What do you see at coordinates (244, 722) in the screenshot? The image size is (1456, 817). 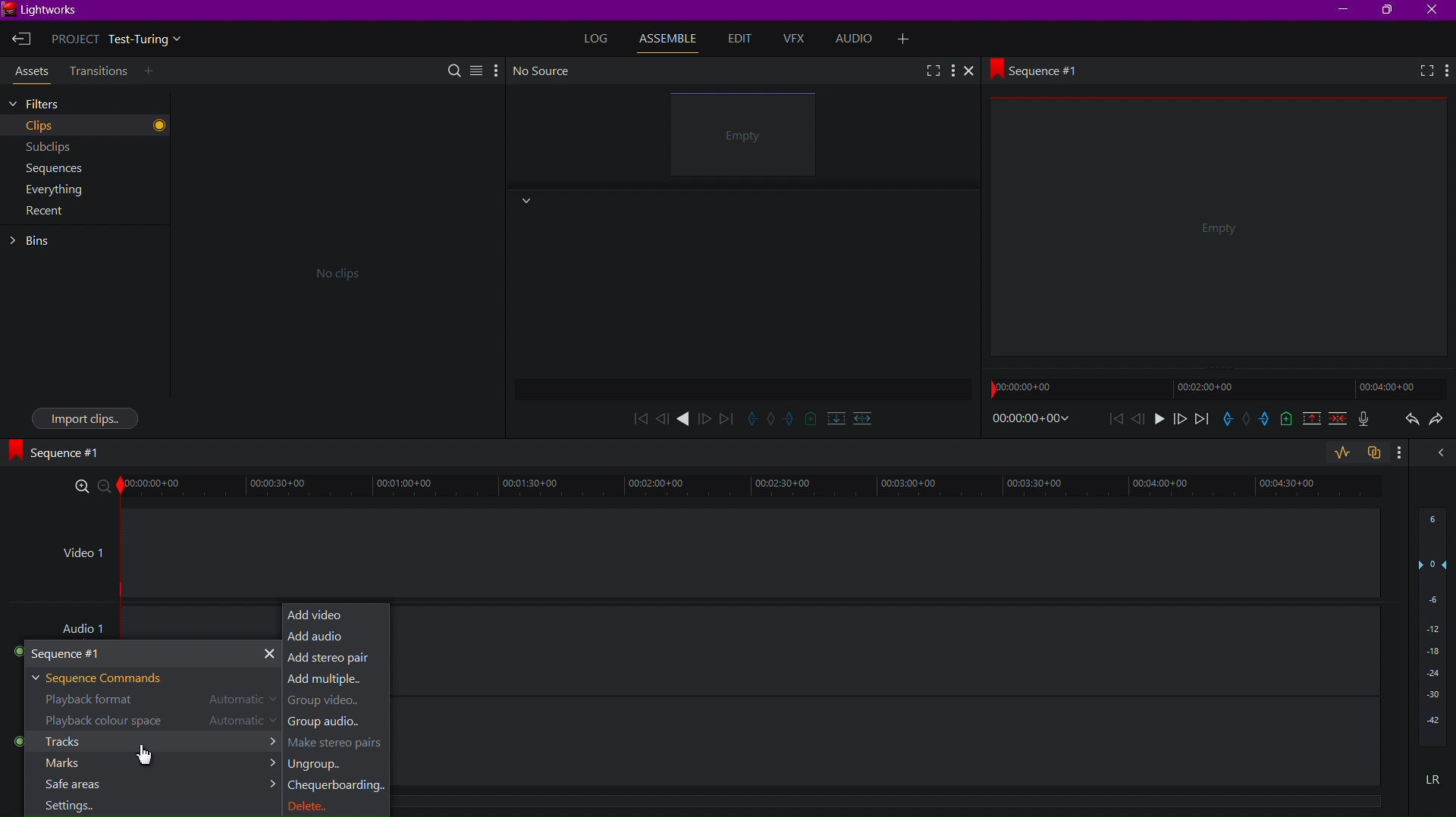 I see `automatic` at bounding box center [244, 722].